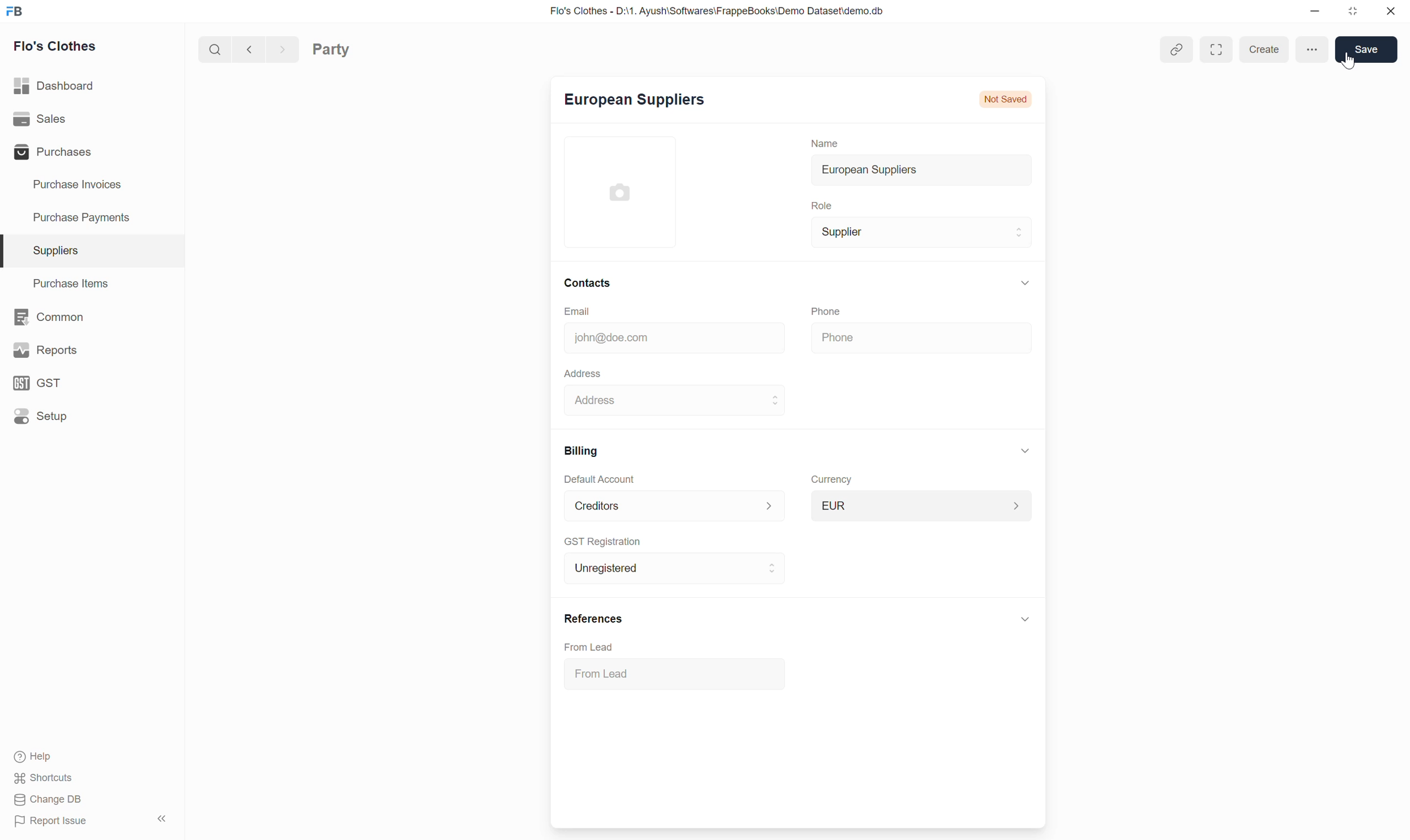 This screenshot has height=840, width=1410. Describe the element at coordinates (41, 416) in the screenshot. I see `setup` at that location.